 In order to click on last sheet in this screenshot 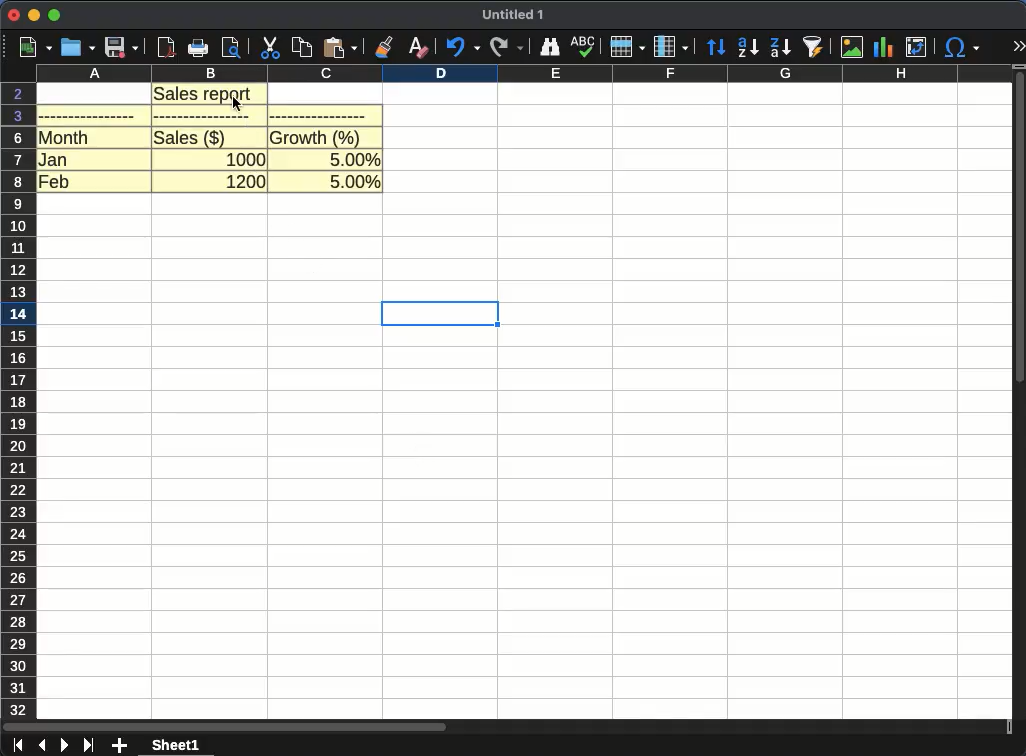, I will do `click(90, 745)`.